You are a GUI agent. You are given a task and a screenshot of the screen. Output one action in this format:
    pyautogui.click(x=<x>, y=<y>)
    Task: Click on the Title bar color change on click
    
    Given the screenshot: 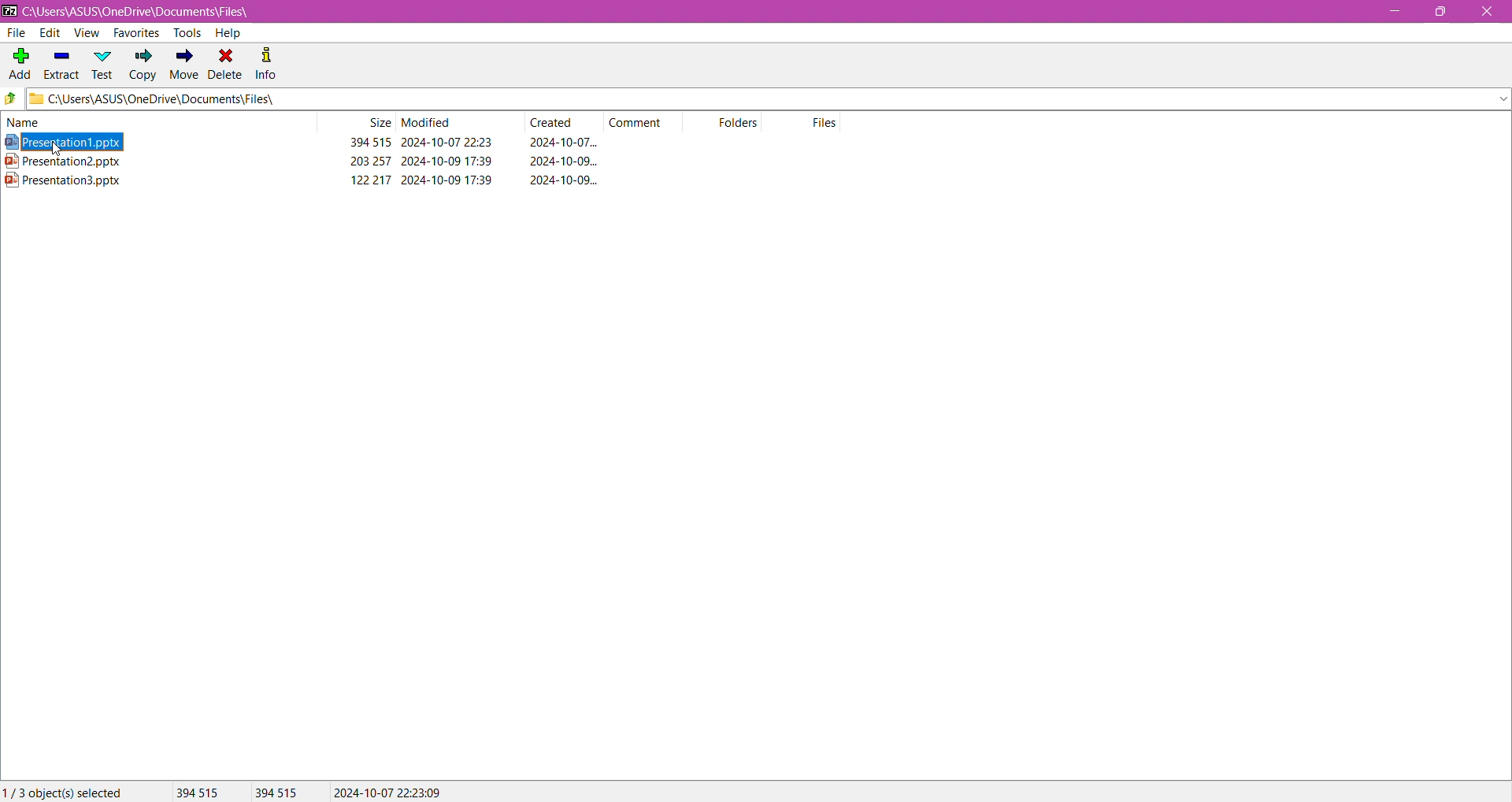 What is the action you would take?
    pyautogui.click(x=756, y=12)
    